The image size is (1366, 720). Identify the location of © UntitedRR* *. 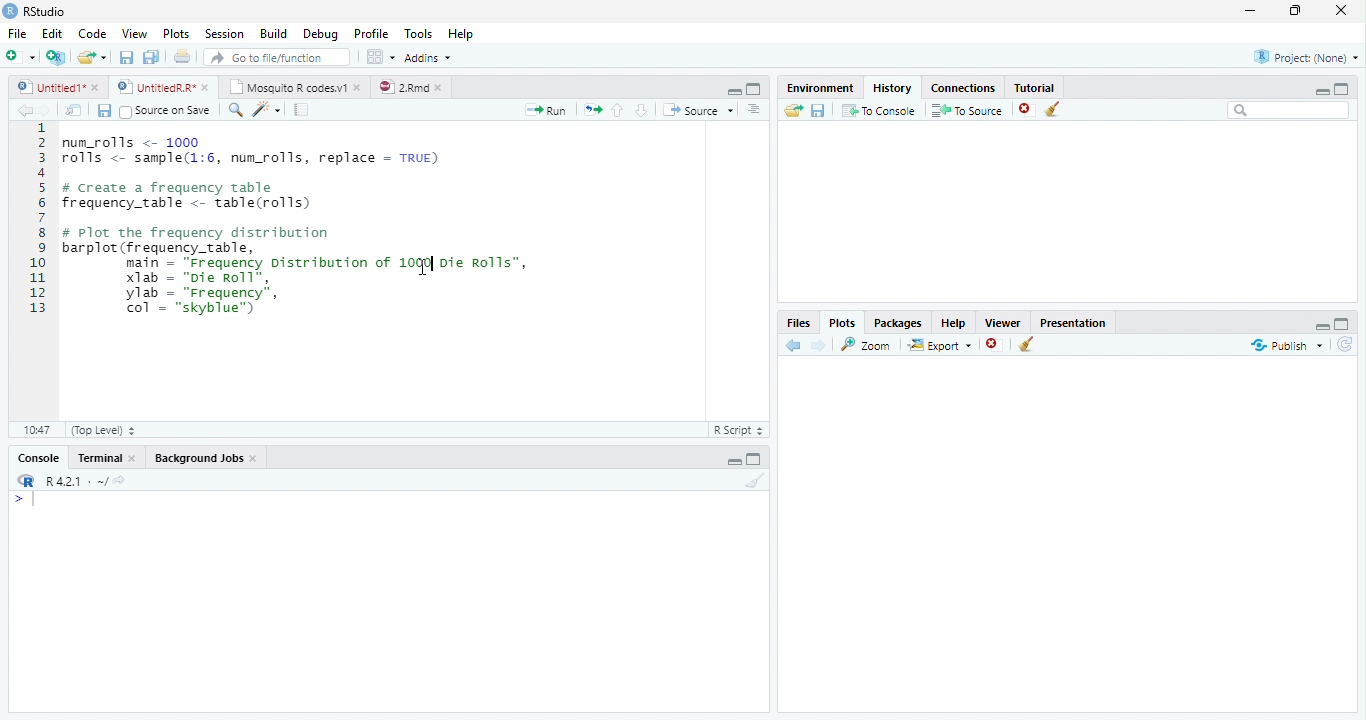
(165, 87).